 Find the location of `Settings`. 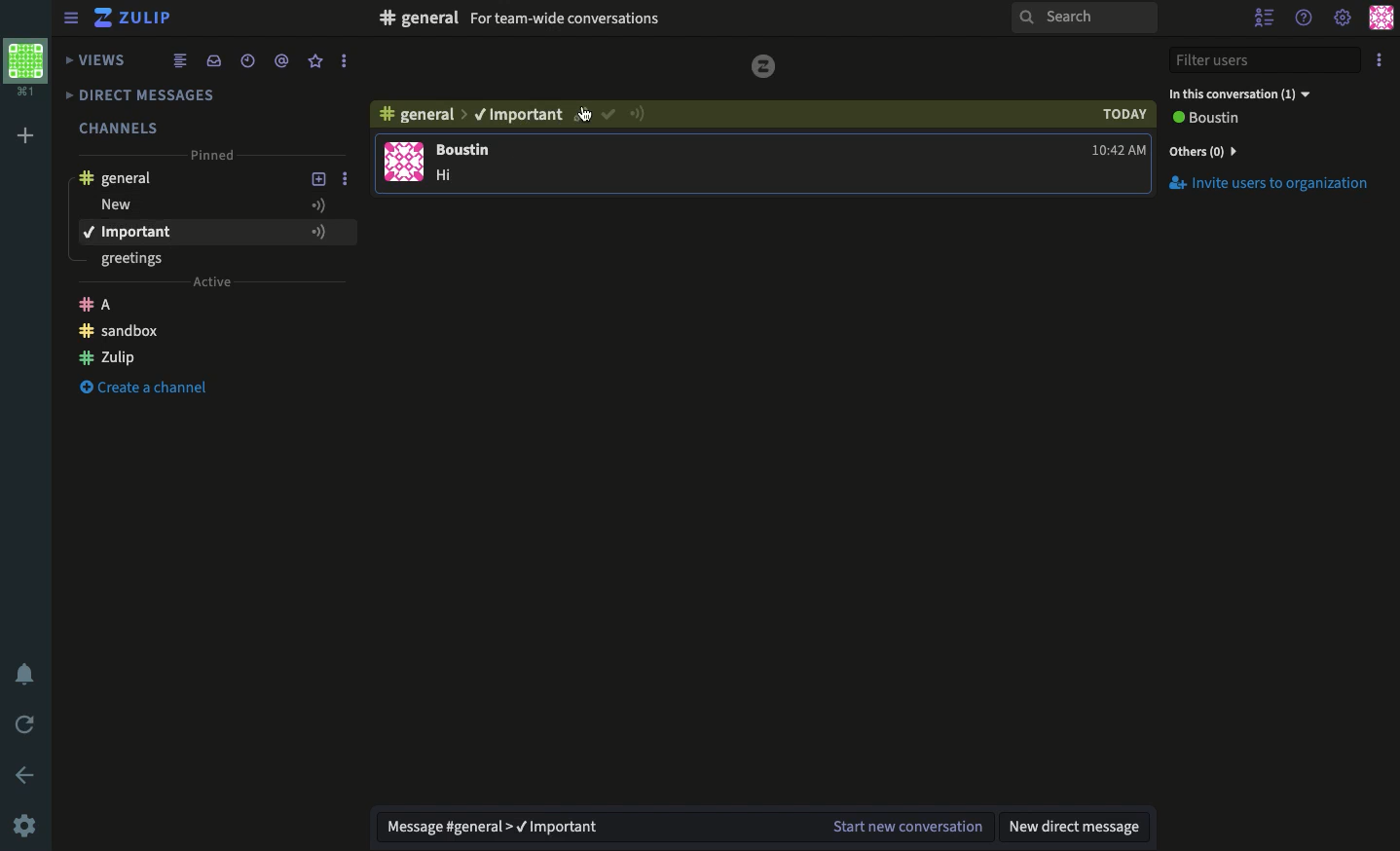

Settings is located at coordinates (1343, 19).